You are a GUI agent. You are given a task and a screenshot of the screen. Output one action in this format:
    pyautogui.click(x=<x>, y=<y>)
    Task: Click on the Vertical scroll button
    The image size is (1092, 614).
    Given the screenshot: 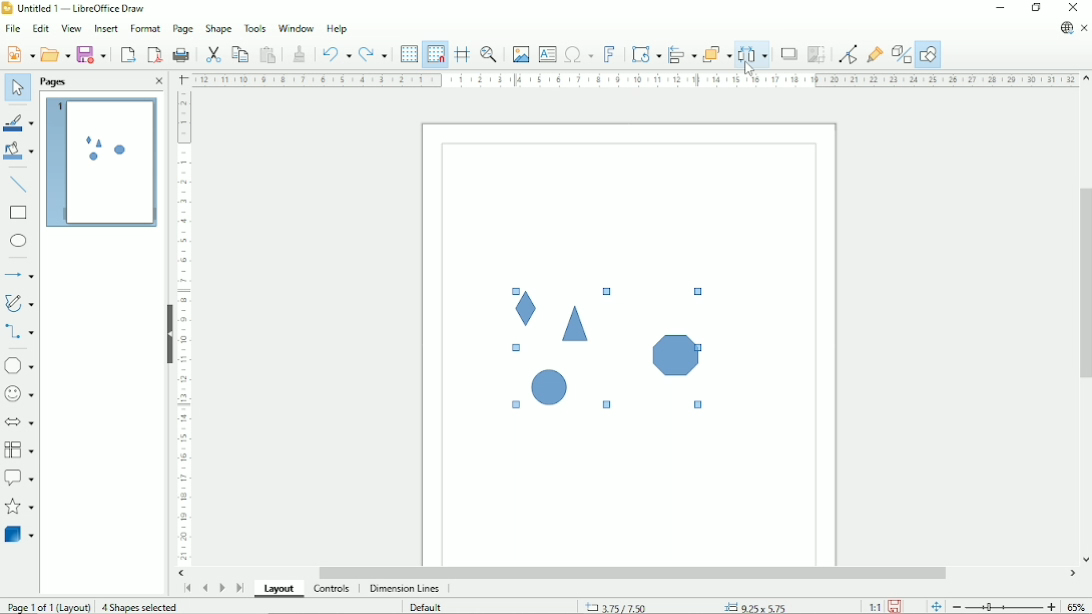 What is the action you would take?
    pyautogui.click(x=1085, y=559)
    